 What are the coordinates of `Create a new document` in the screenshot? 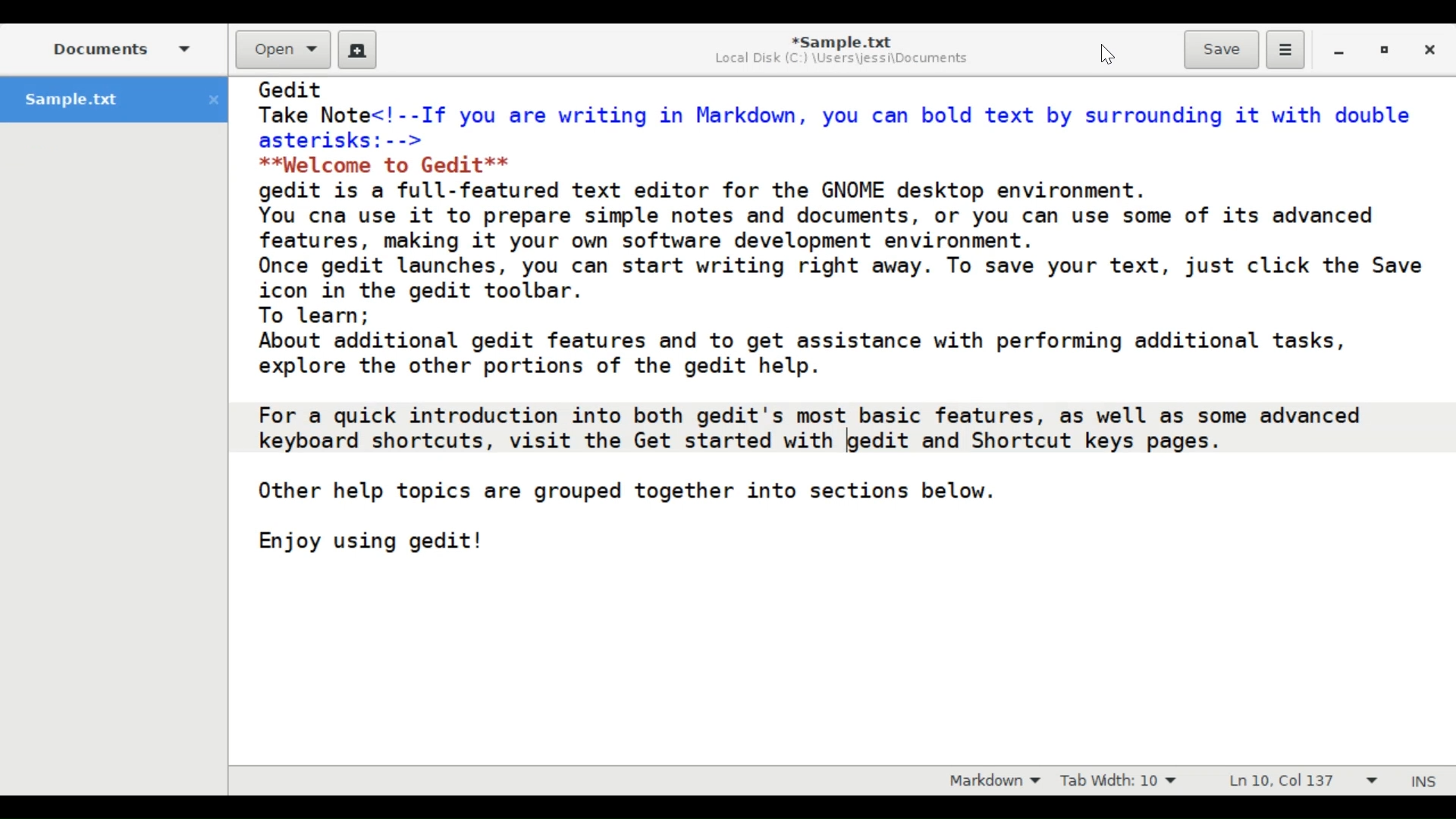 It's located at (356, 49).